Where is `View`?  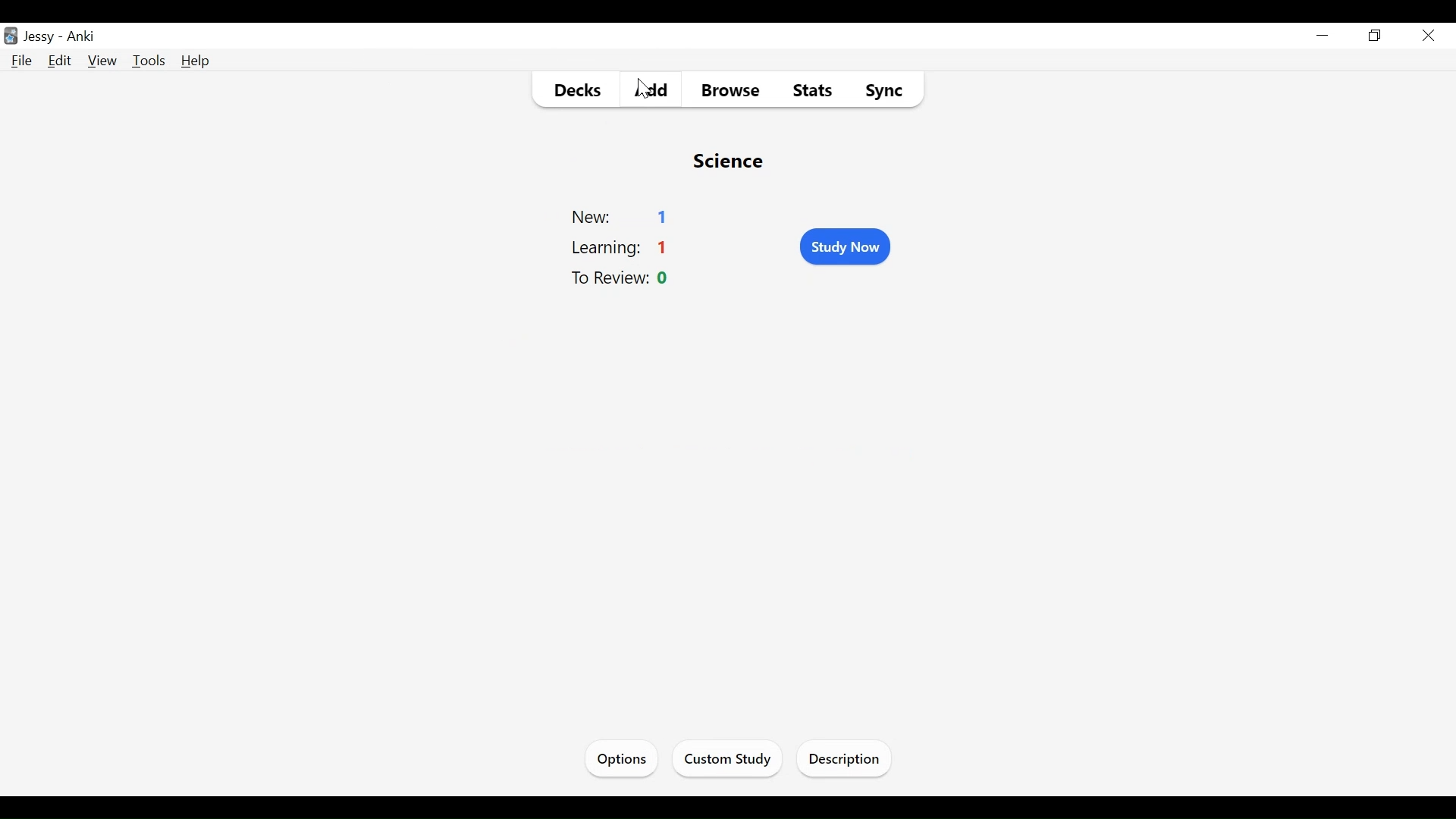 View is located at coordinates (103, 61).